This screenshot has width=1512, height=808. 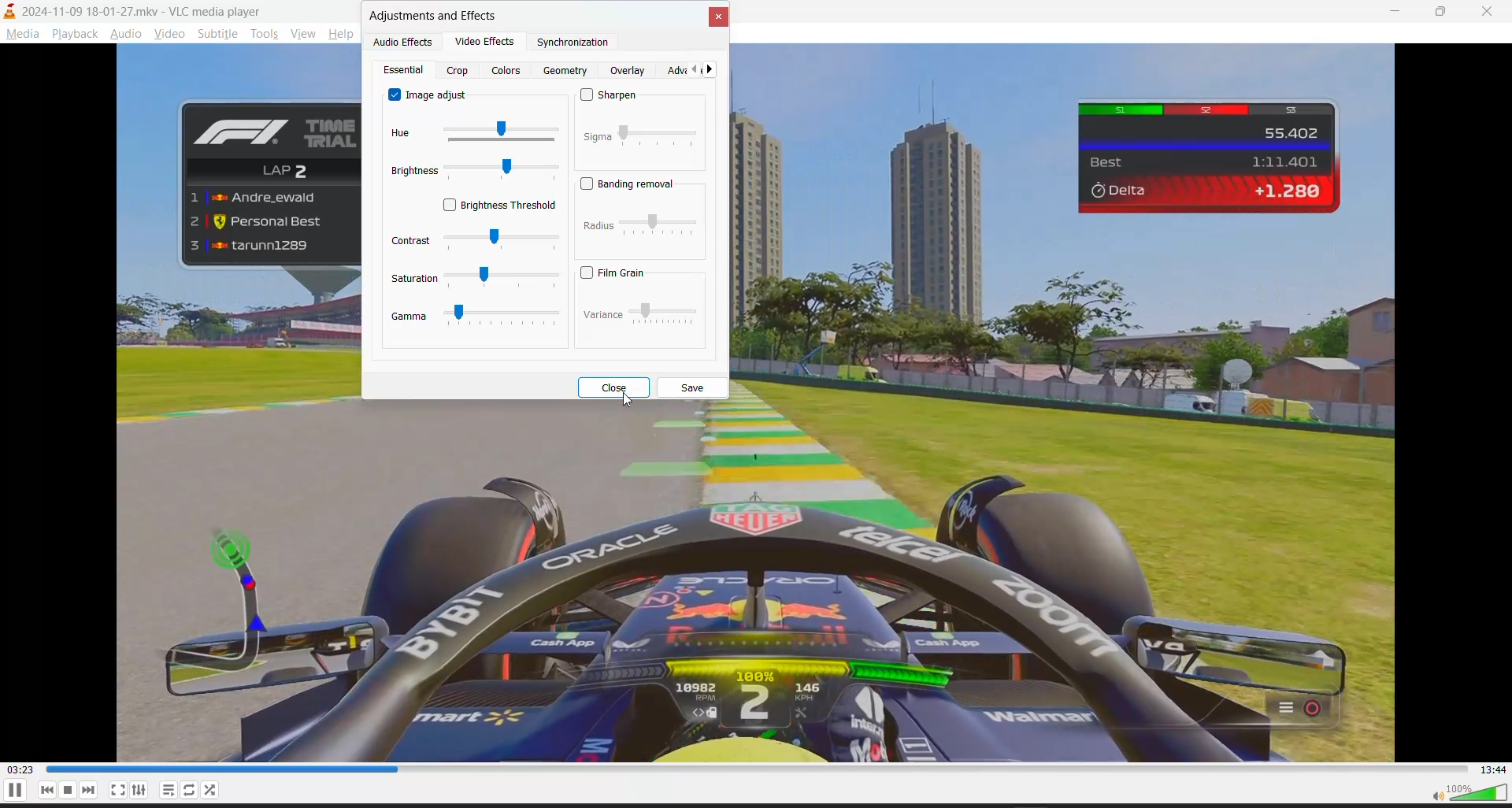 What do you see at coordinates (403, 134) in the screenshot?
I see `hue` at bounding box center [403, 134].